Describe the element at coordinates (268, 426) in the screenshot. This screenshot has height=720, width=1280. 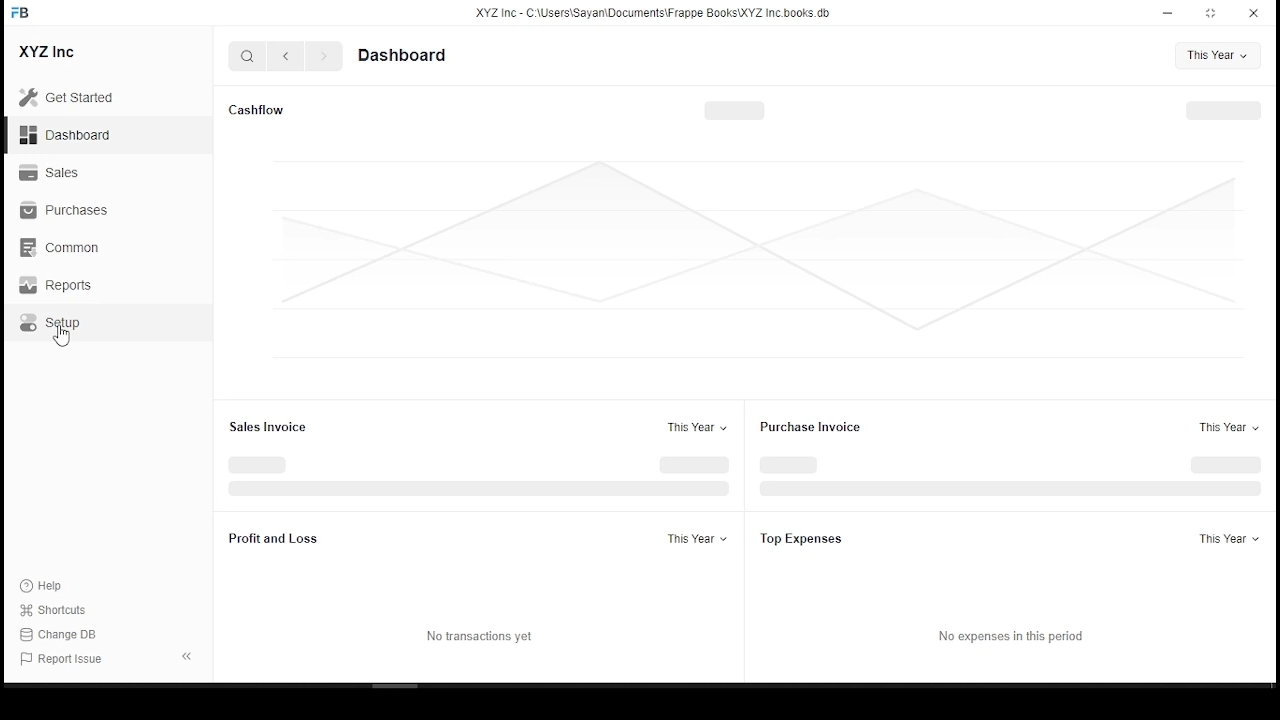
I see `Sales Invoice` at that location.